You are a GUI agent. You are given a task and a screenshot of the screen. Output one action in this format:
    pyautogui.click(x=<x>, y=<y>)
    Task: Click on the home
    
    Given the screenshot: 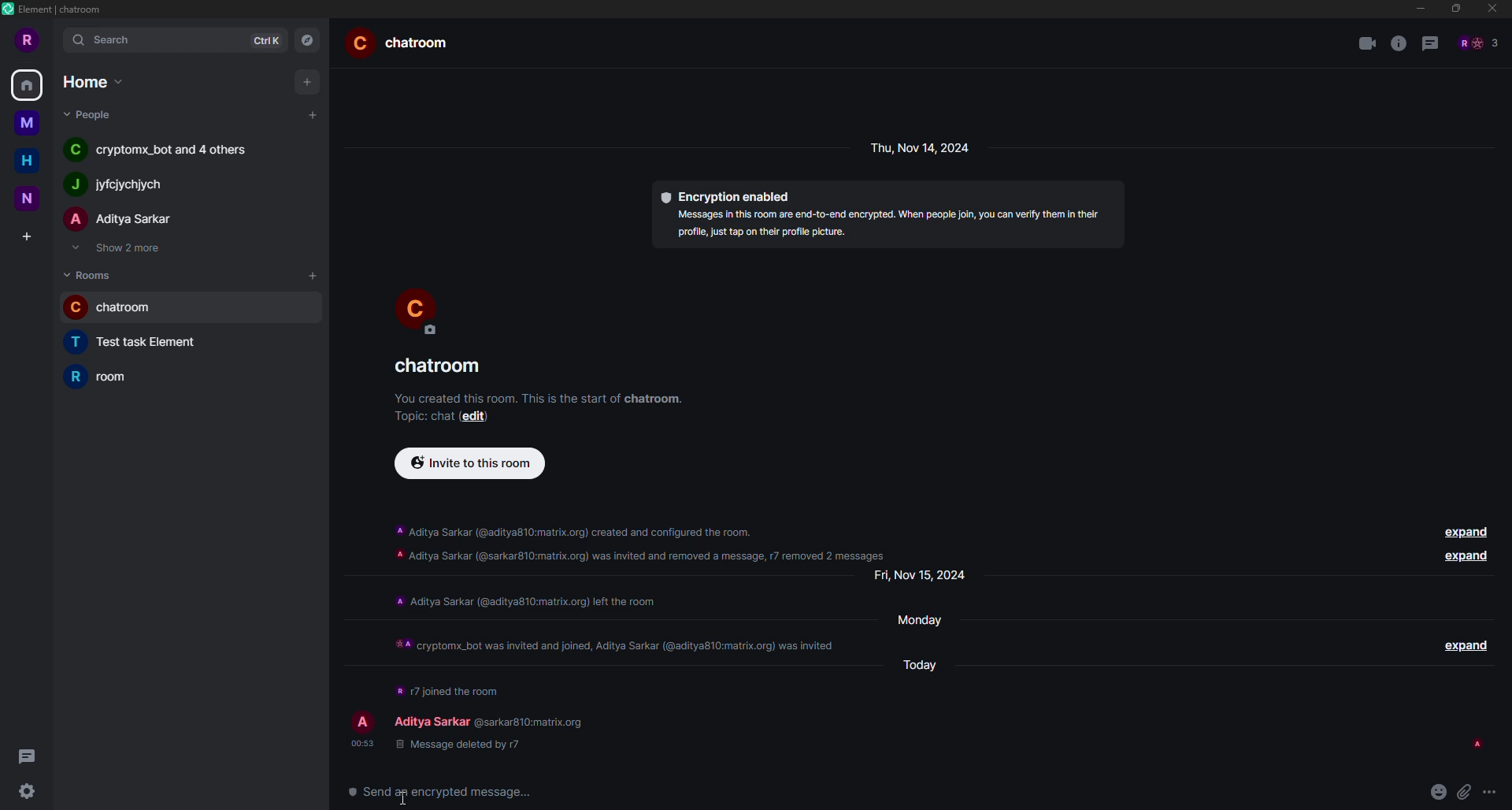 What is the action you would take?
    pyautogui.click(x=27, y=160)
    